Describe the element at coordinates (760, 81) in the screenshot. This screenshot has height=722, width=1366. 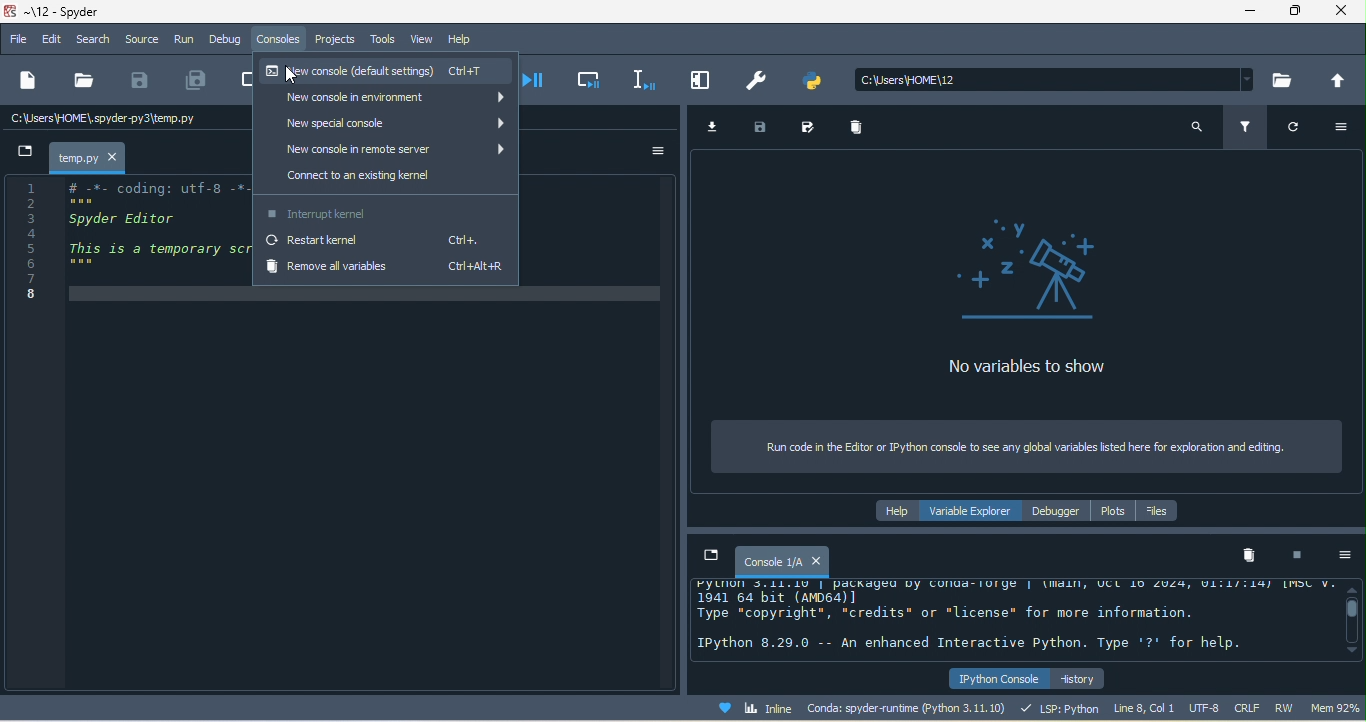
I see `preference` at that location.